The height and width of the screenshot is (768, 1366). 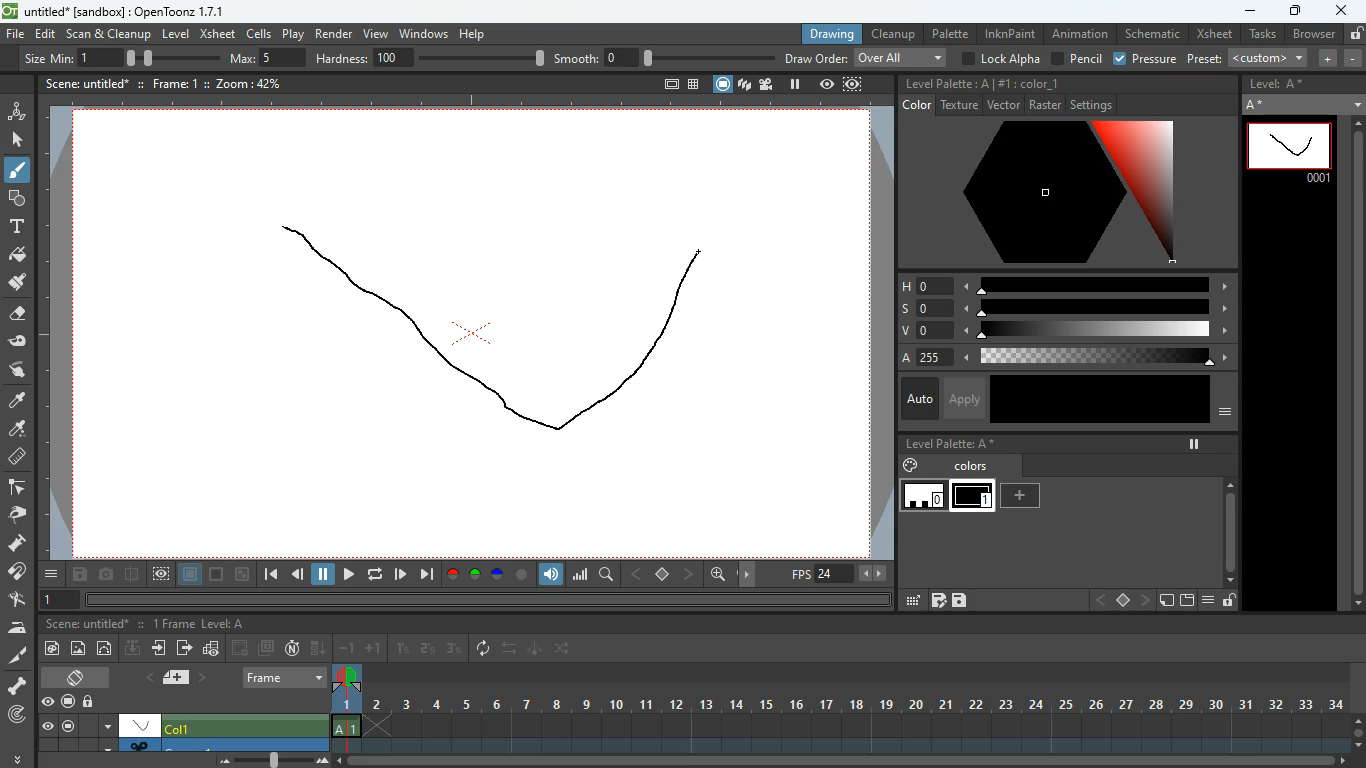 I want to click on Column, so click(x=180, y=744).